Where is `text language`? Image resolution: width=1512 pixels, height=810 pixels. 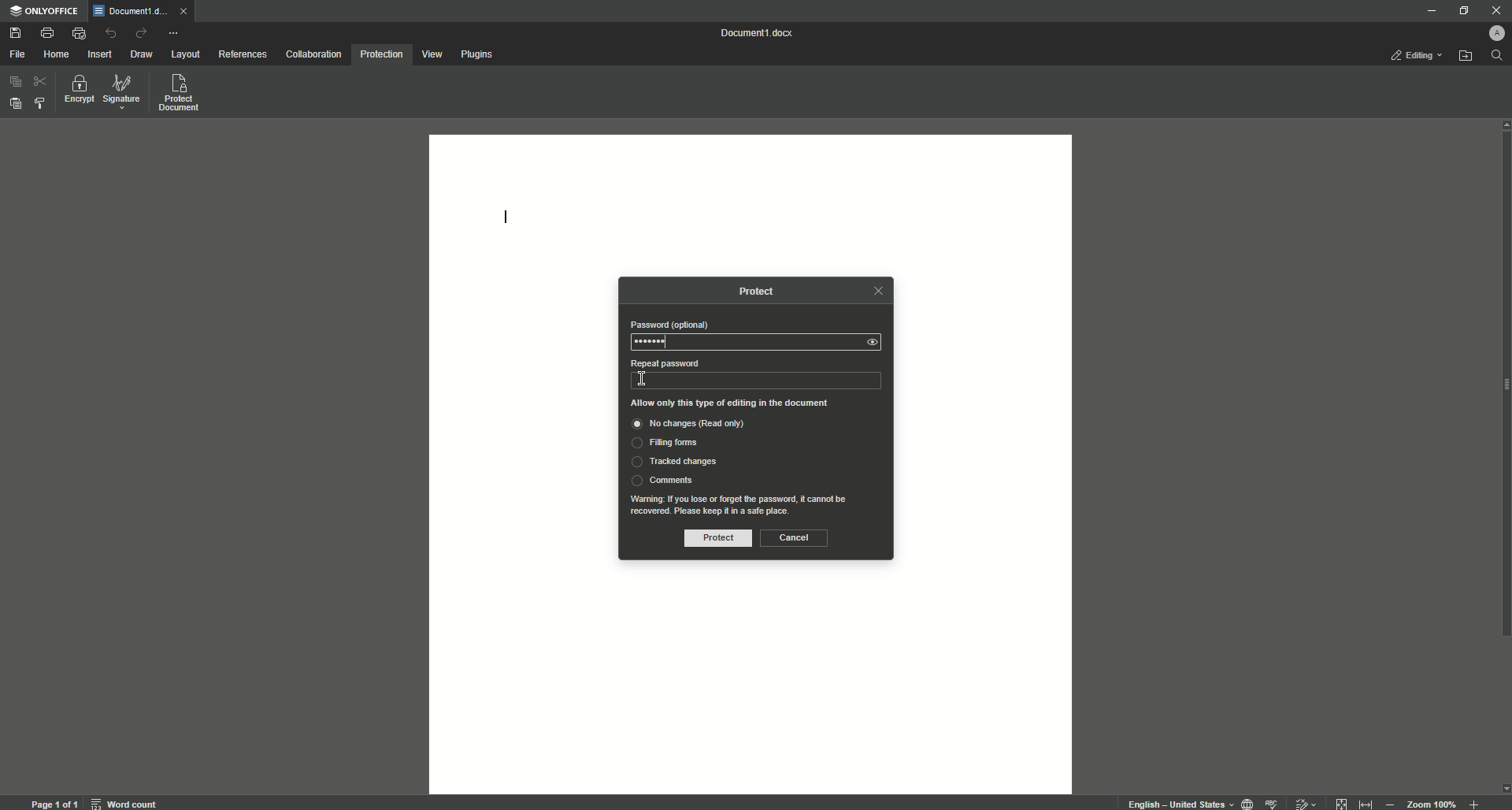 text language is located at coordinates (1179, 804).